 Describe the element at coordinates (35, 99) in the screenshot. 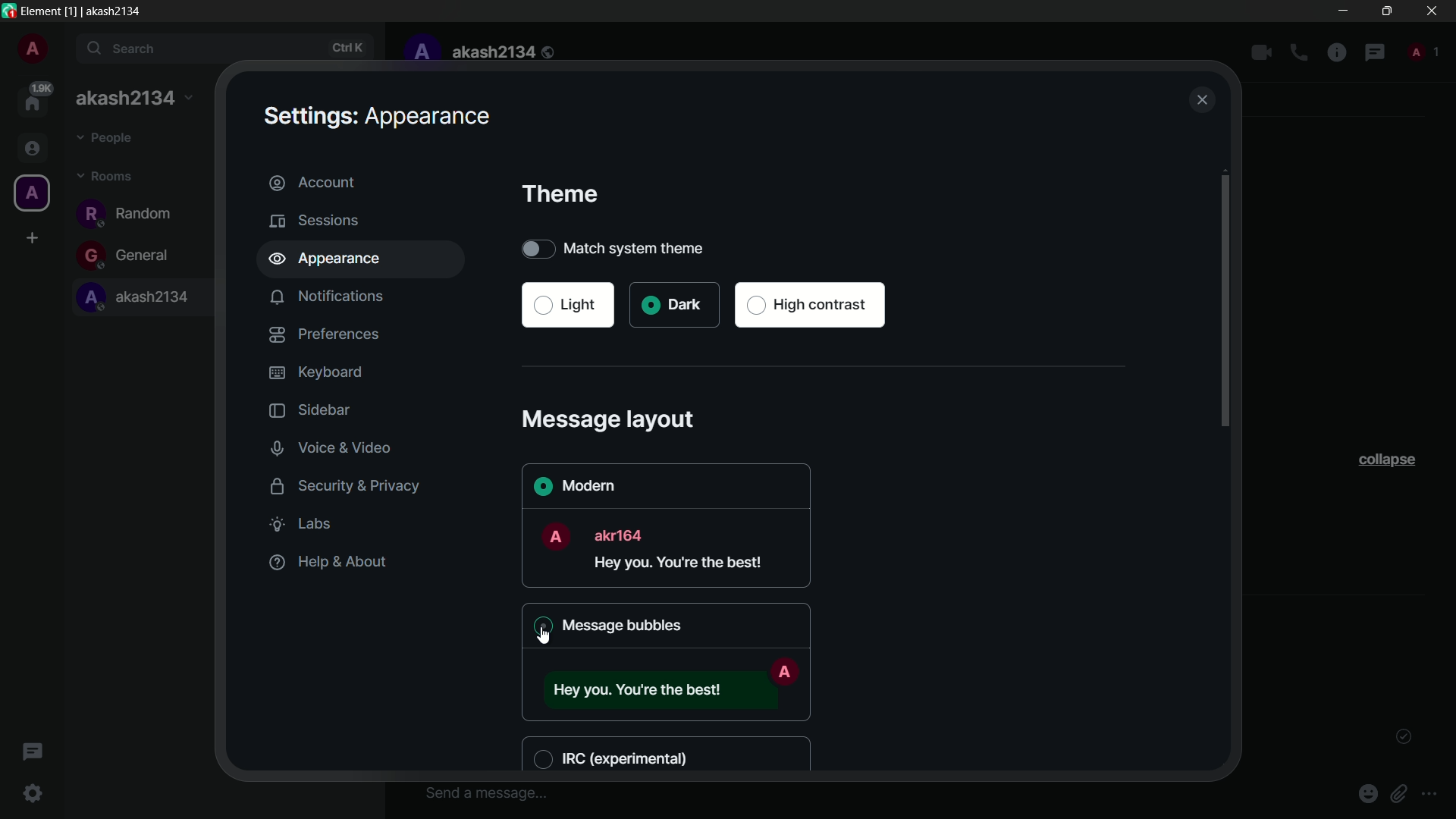

I see `home page` at that location.